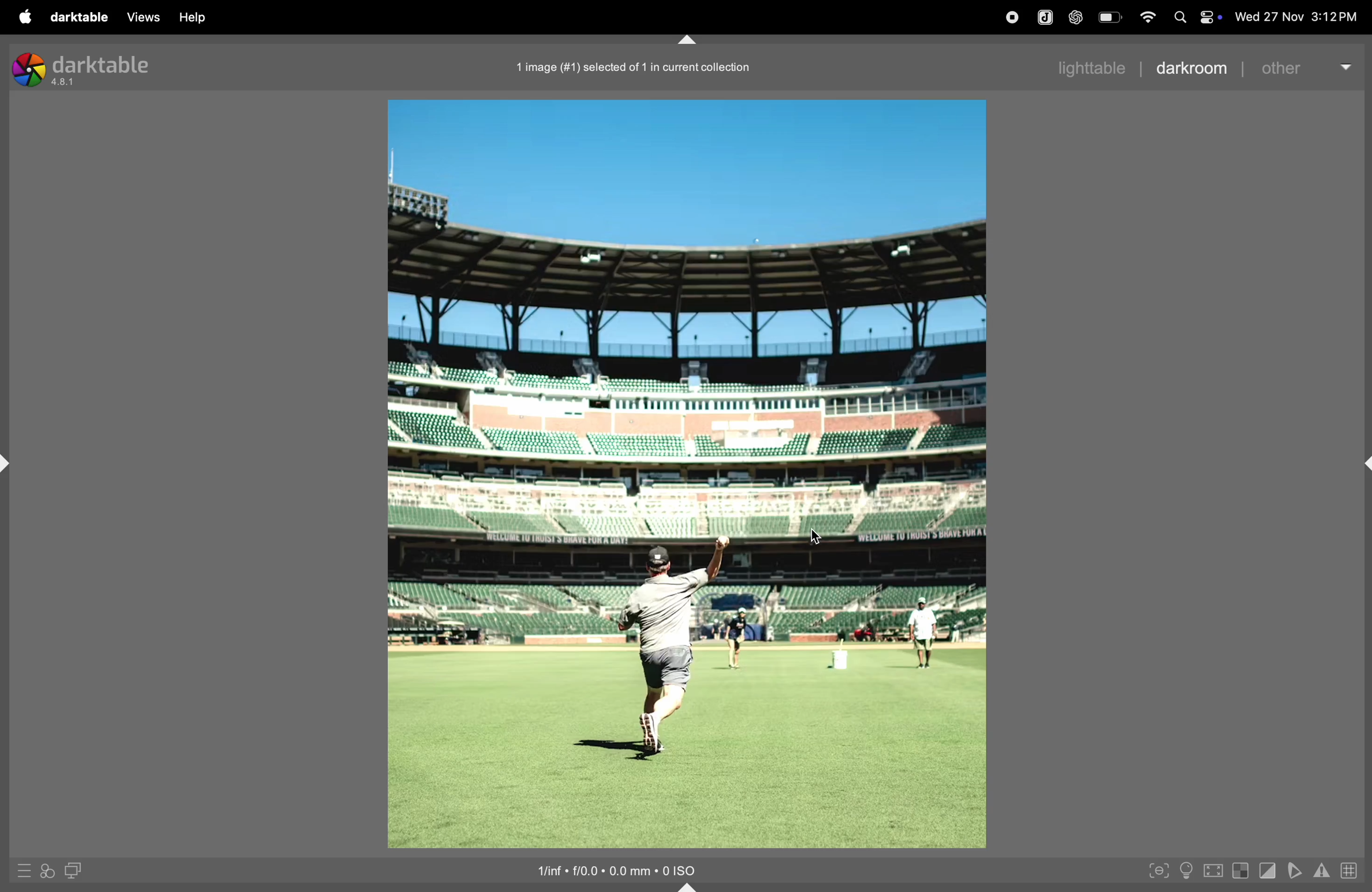  What do you see at coordinates (1088, 67) in the screenshot?
I see `lighttable` at bounding box center [1088, 67].